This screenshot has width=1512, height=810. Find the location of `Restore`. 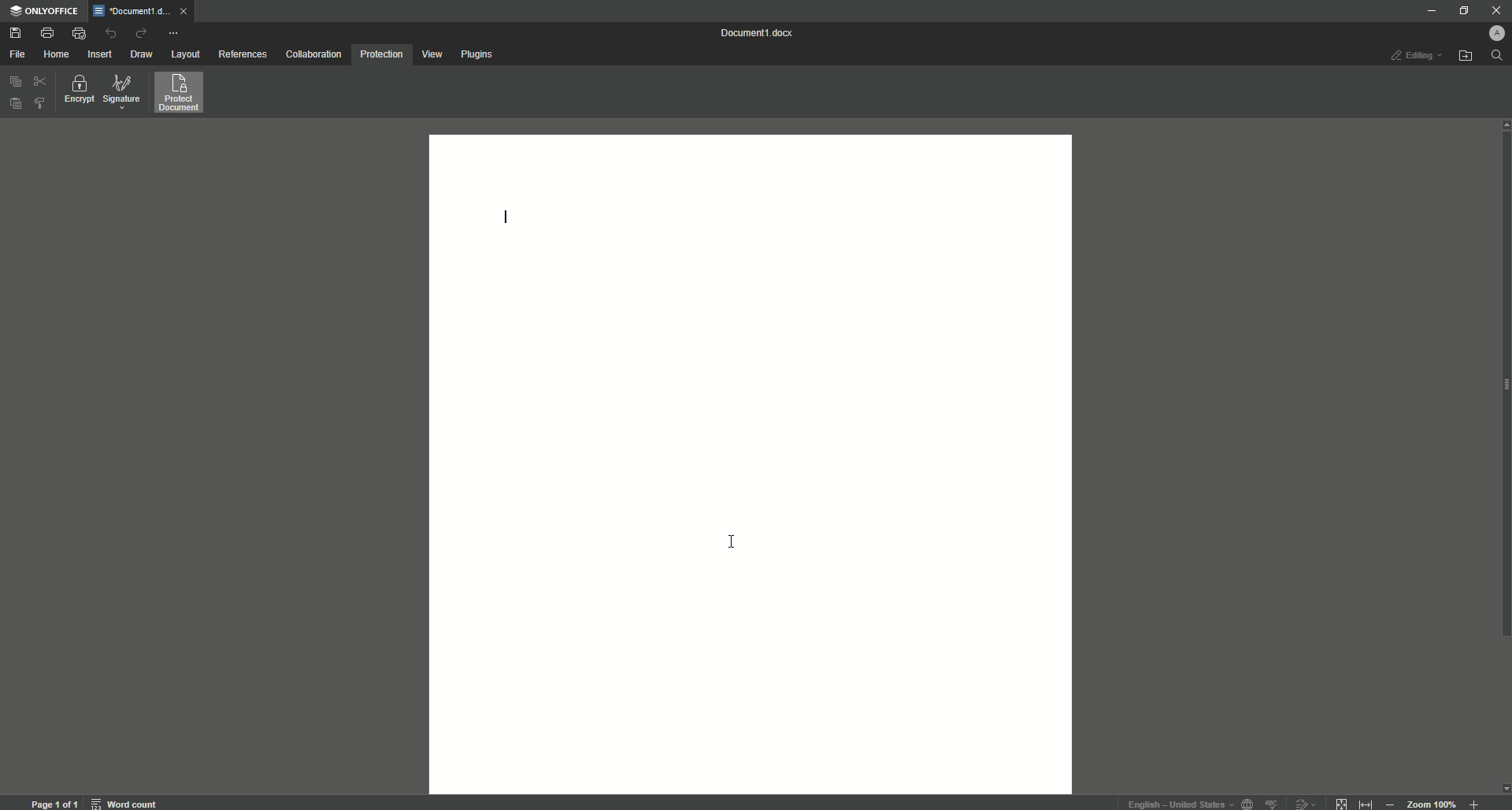

Restore is located at coordinates (1461, 10).